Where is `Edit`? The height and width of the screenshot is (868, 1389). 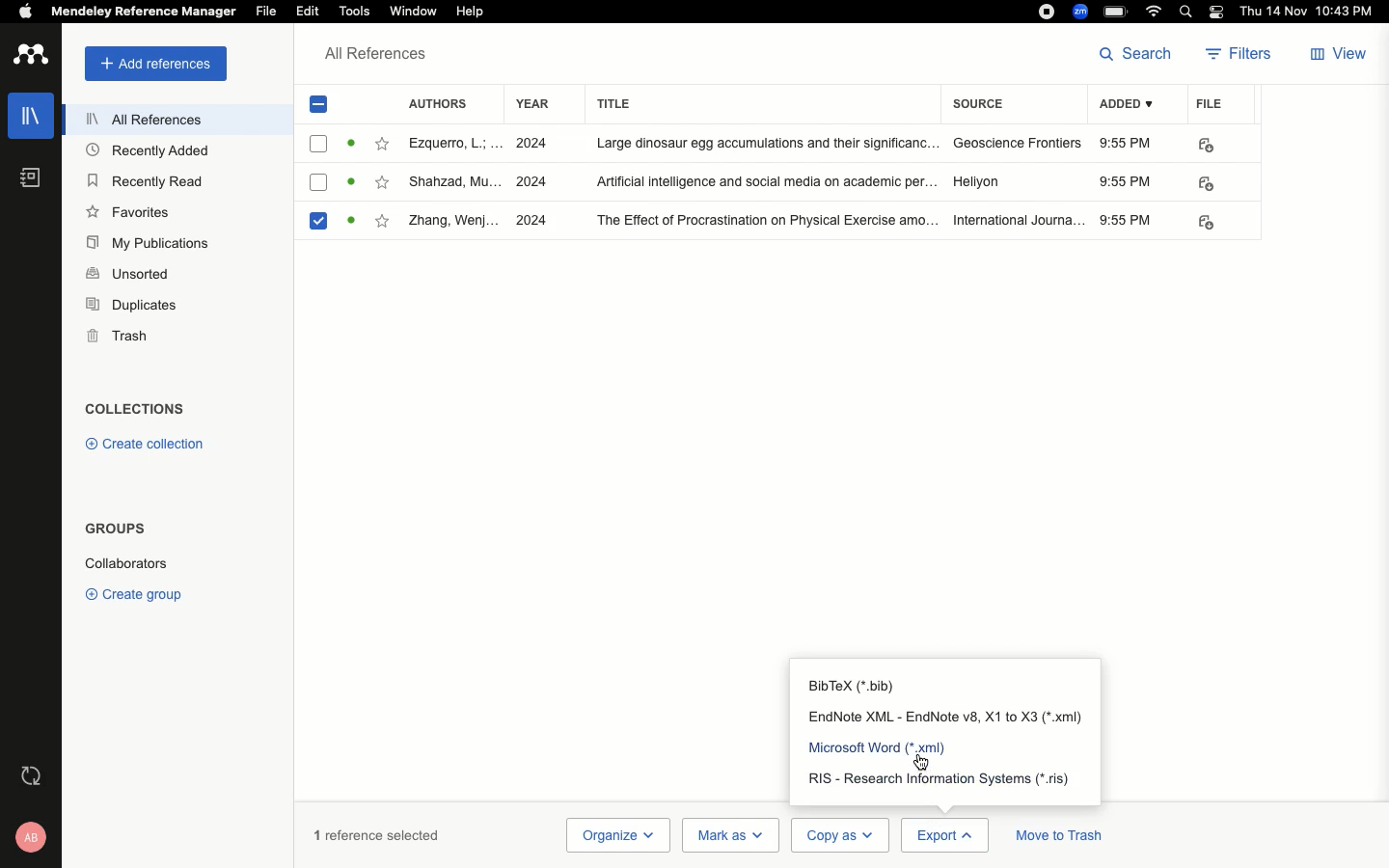 Edit is located at coordinates (309, 13).